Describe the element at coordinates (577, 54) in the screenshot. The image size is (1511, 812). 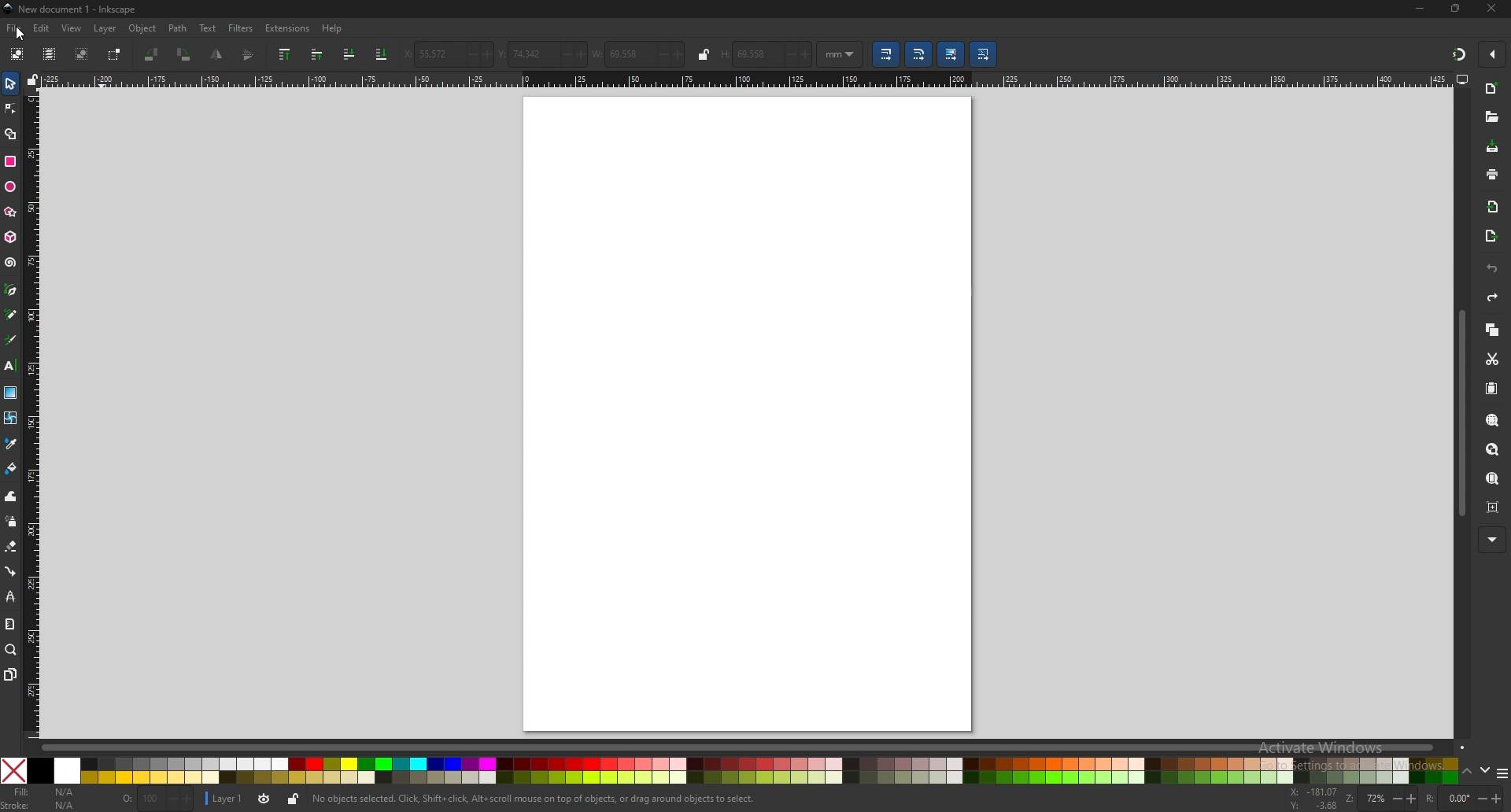
I see `+` at that location.